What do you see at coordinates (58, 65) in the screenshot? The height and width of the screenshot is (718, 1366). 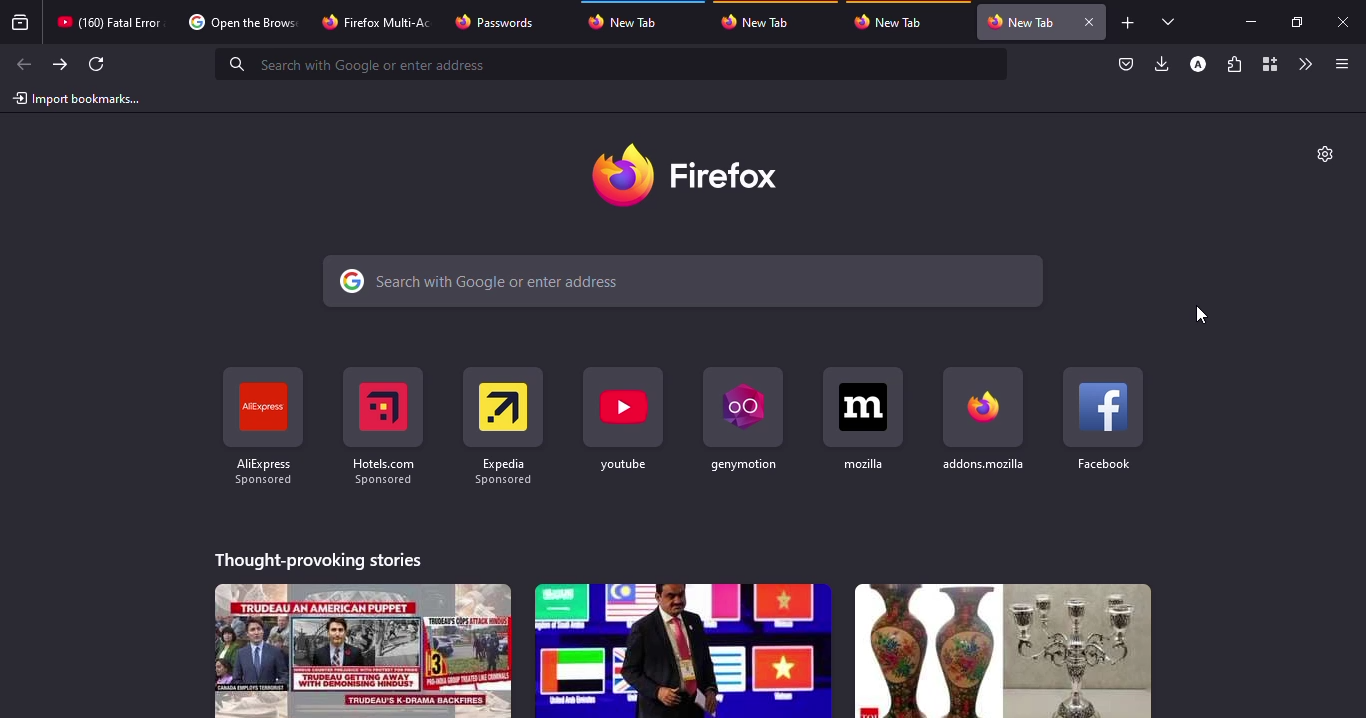 I see `forward` at bounding box center [58, 65].